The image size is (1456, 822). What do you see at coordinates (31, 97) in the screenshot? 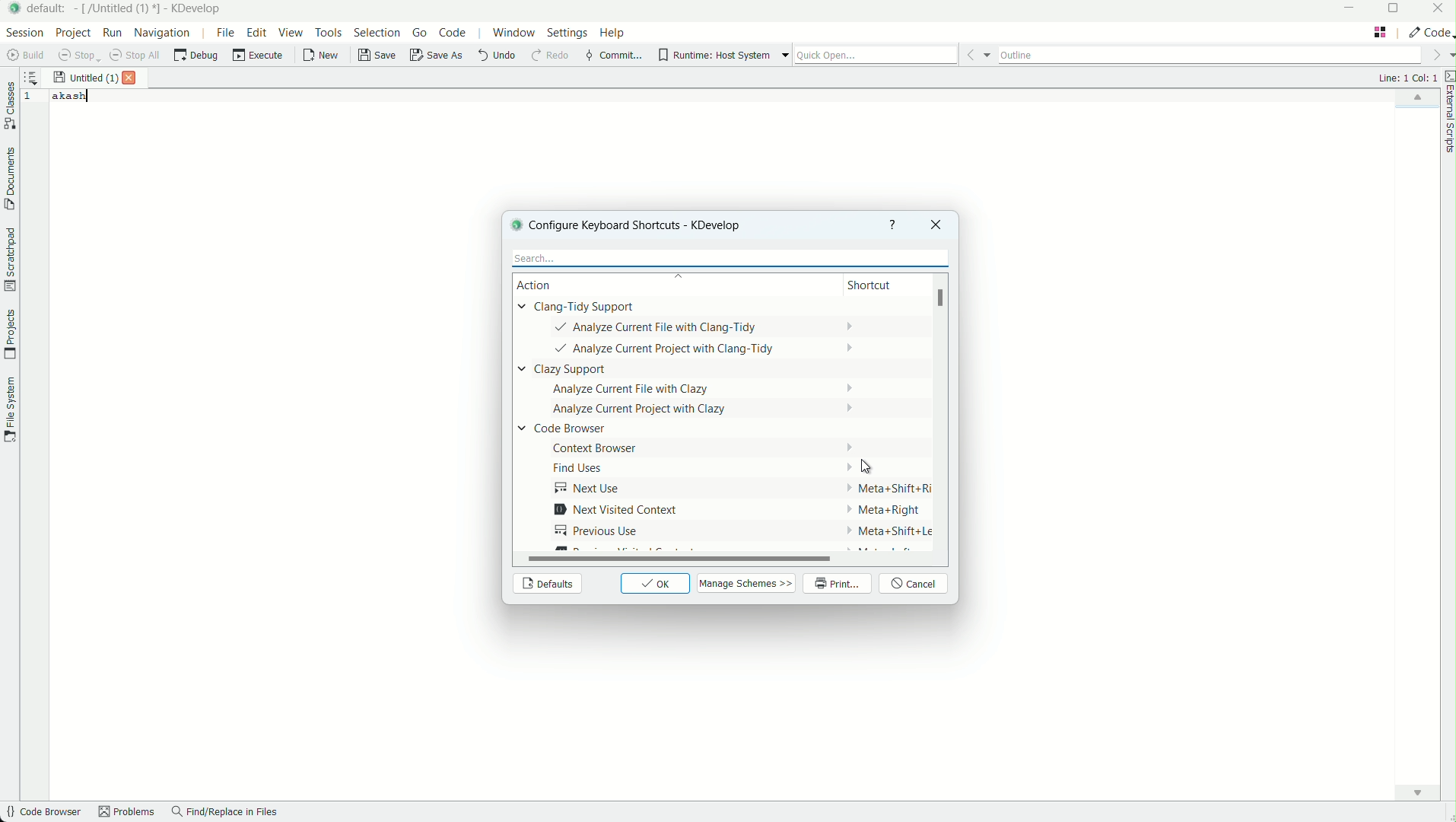
I see `line number` at bounding box center [31, 97].